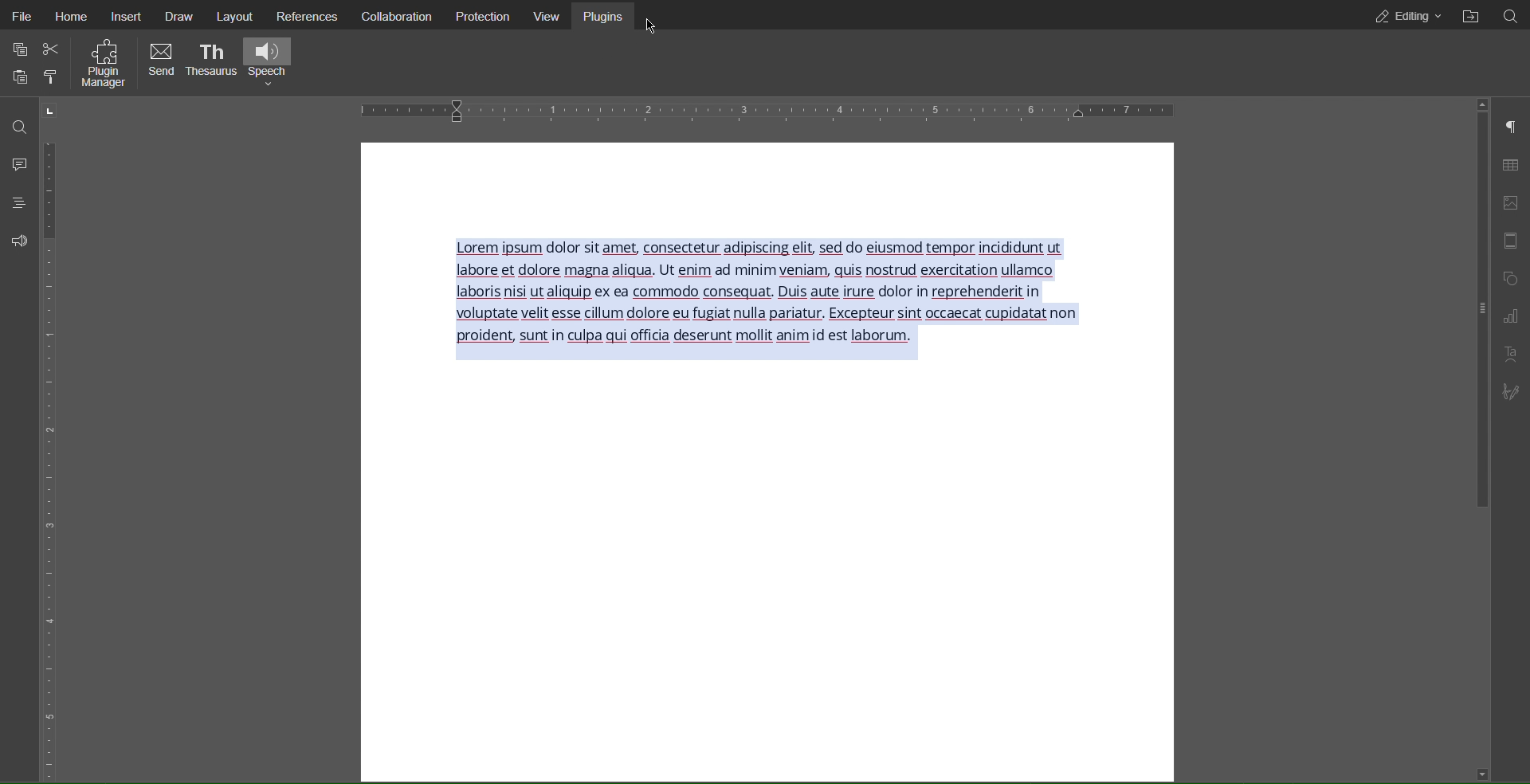  I want to click on Lorem ipsum dolor sit amet...Selected Paragraph, so click(775, 299).